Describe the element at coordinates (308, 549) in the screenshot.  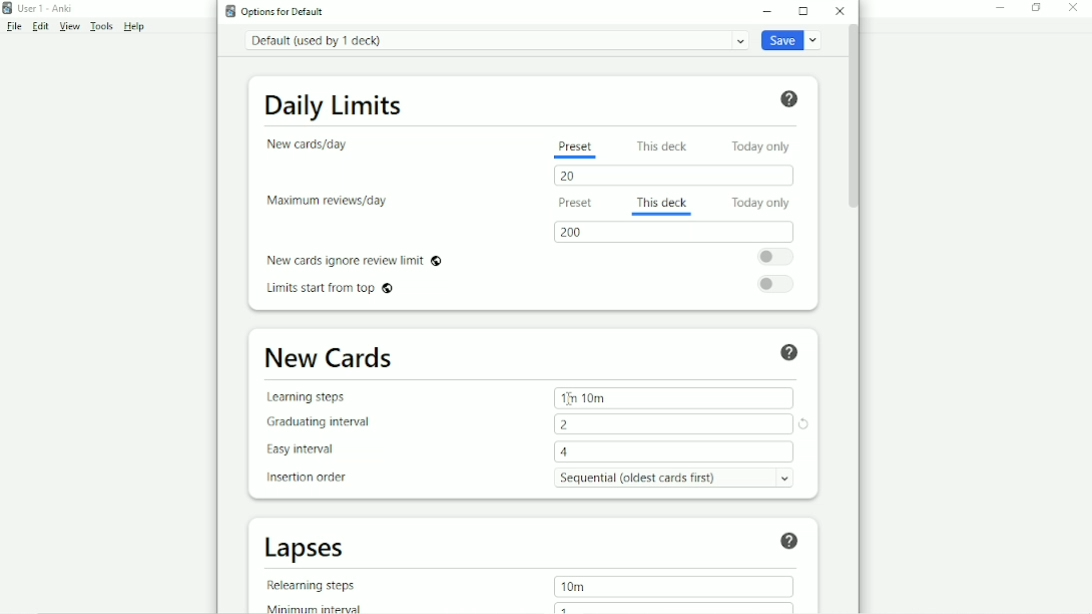
I see `Lapses` at that location.